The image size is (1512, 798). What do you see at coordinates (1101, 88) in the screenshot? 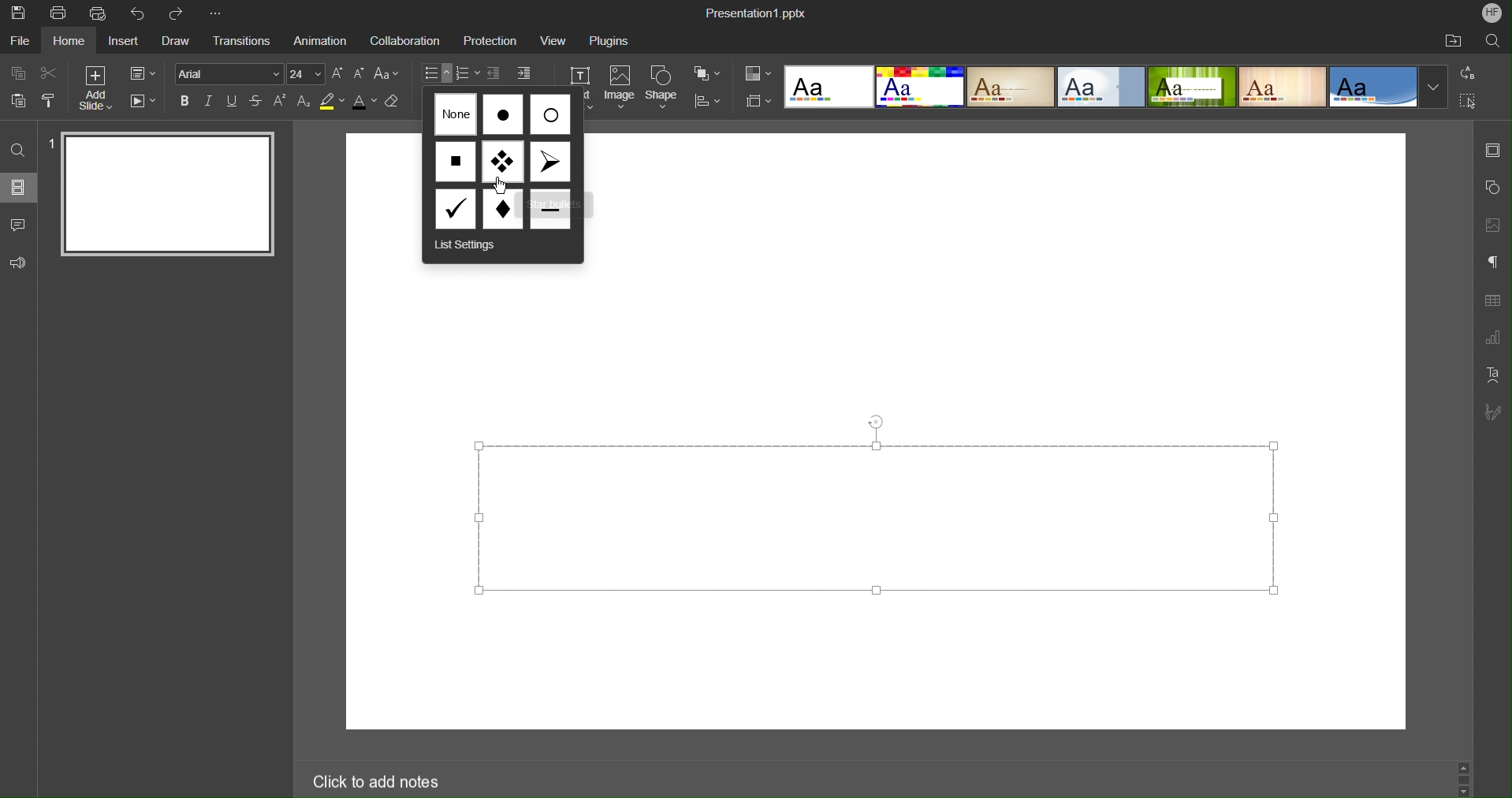
I see `template` at bounding box center [1101, 88].